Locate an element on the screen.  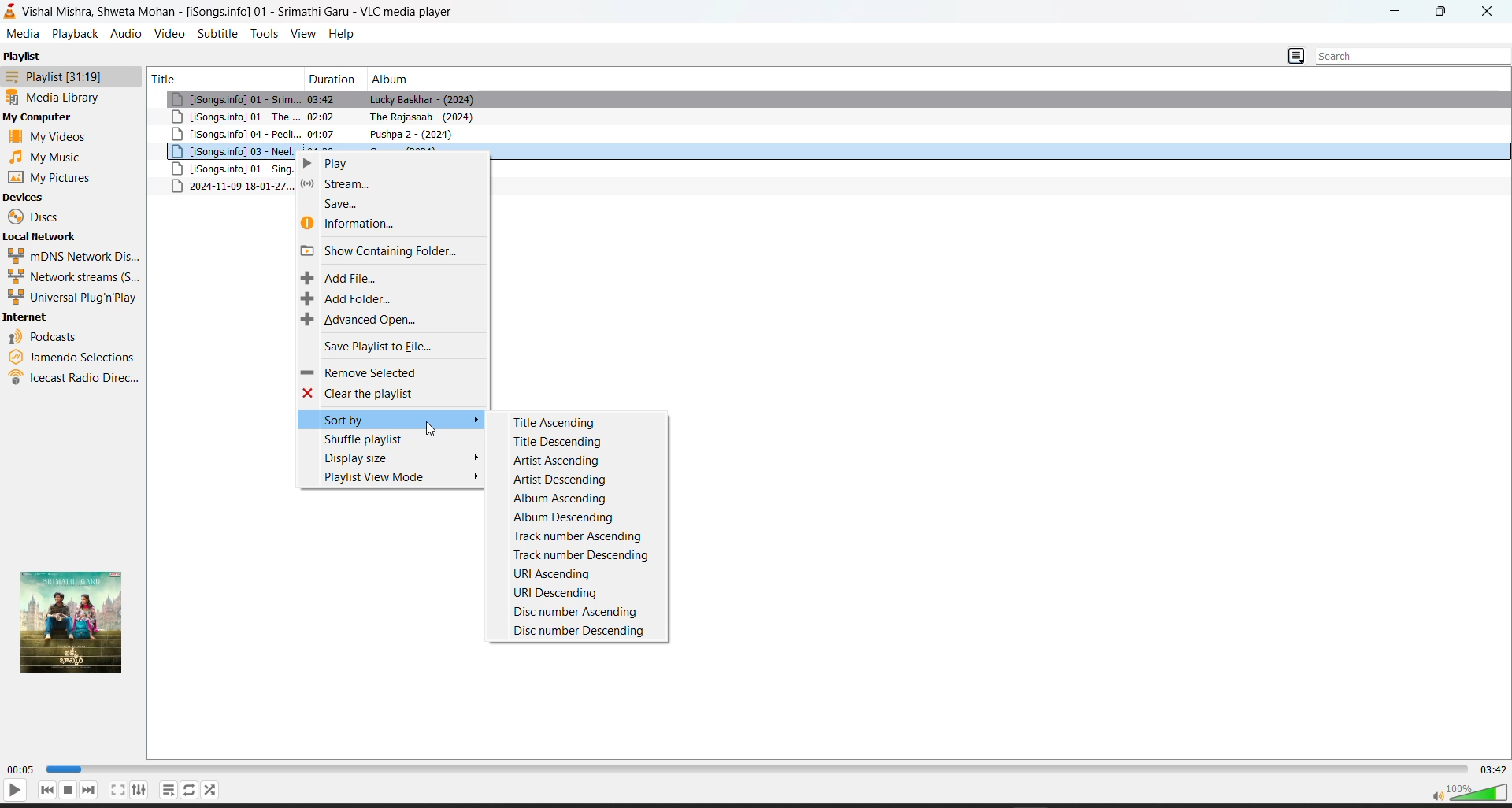
tools is located at coordinates (265, 33).